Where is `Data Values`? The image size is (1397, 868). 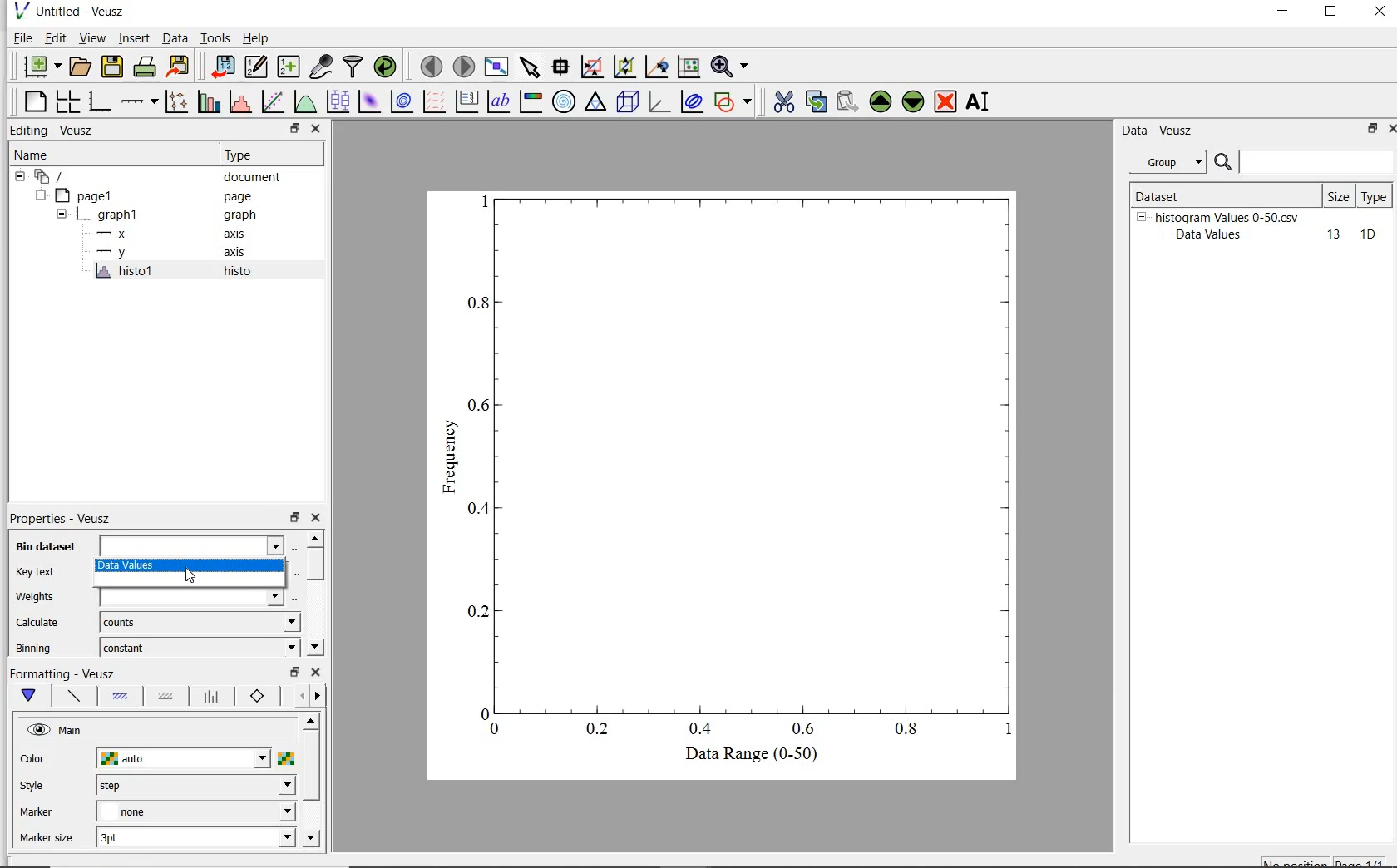 Data Values is located at coordinates (1214, 235).